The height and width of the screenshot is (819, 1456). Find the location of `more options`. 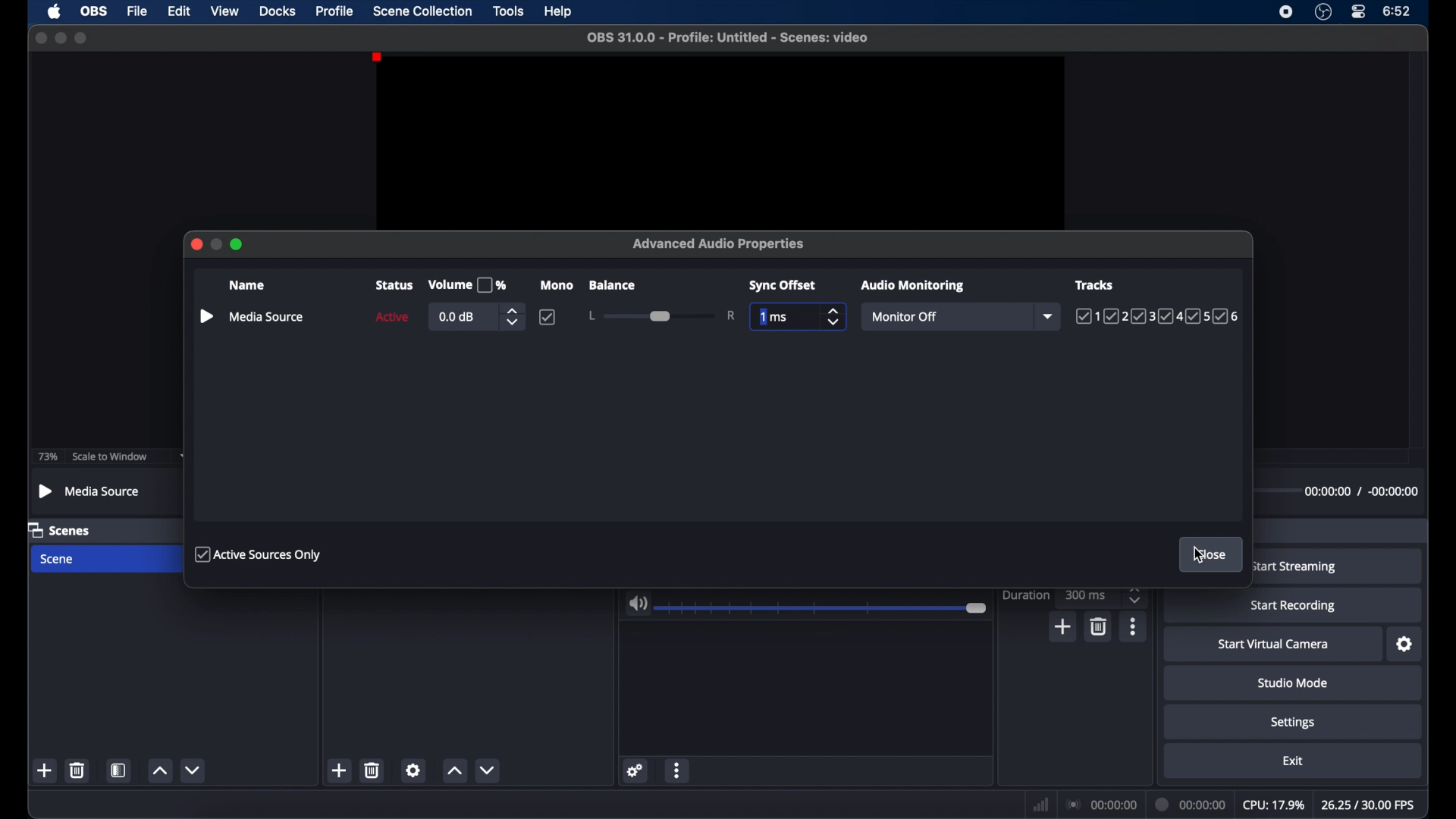

more options is located at coordinates (678, 770).